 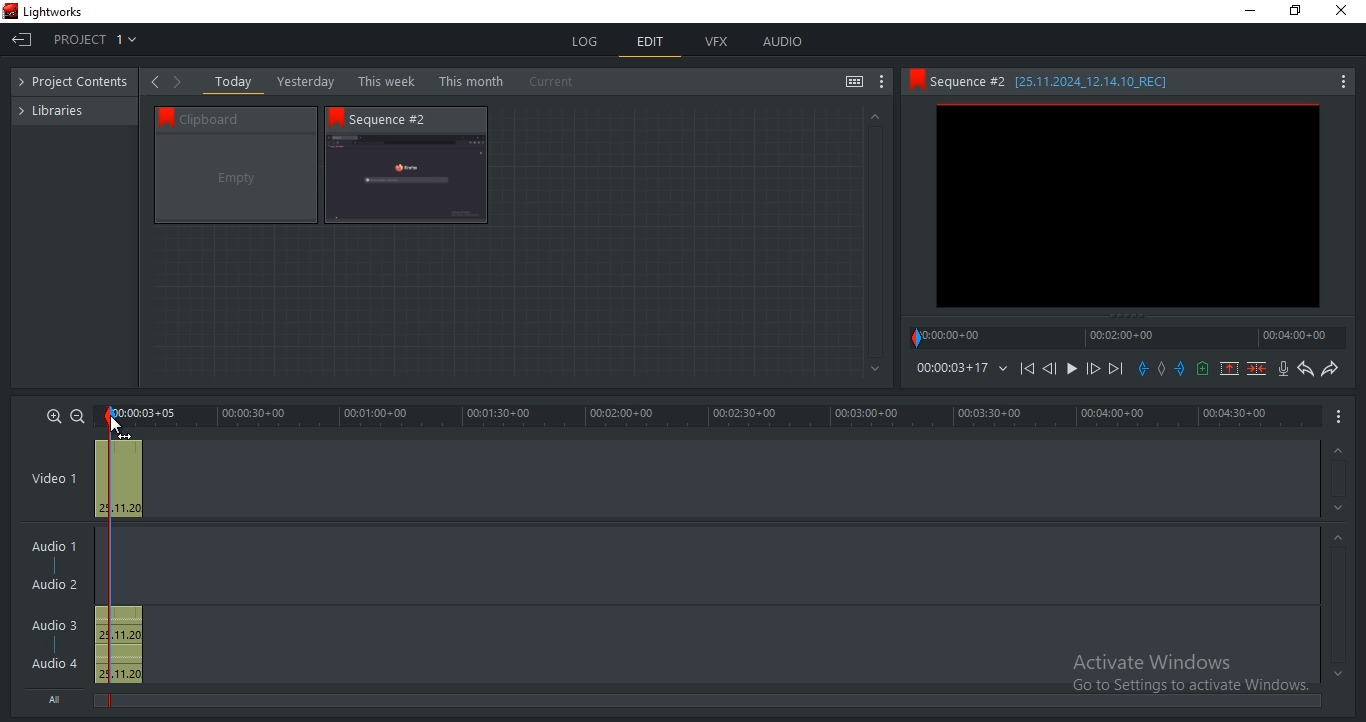 What do you see at coordinates (61, 625) in the screenshot?
I see `Audio 3` at bounding box center [61, 625].